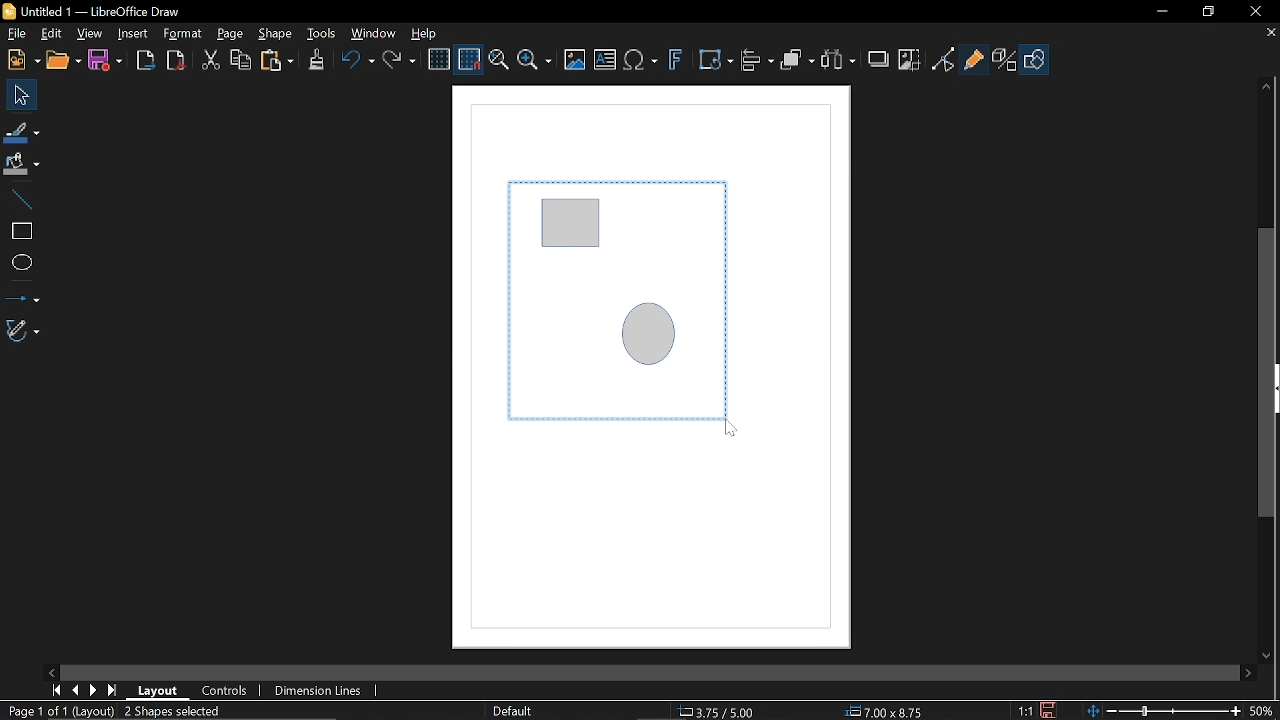  I want to click on Insert image, so click(574, 60).